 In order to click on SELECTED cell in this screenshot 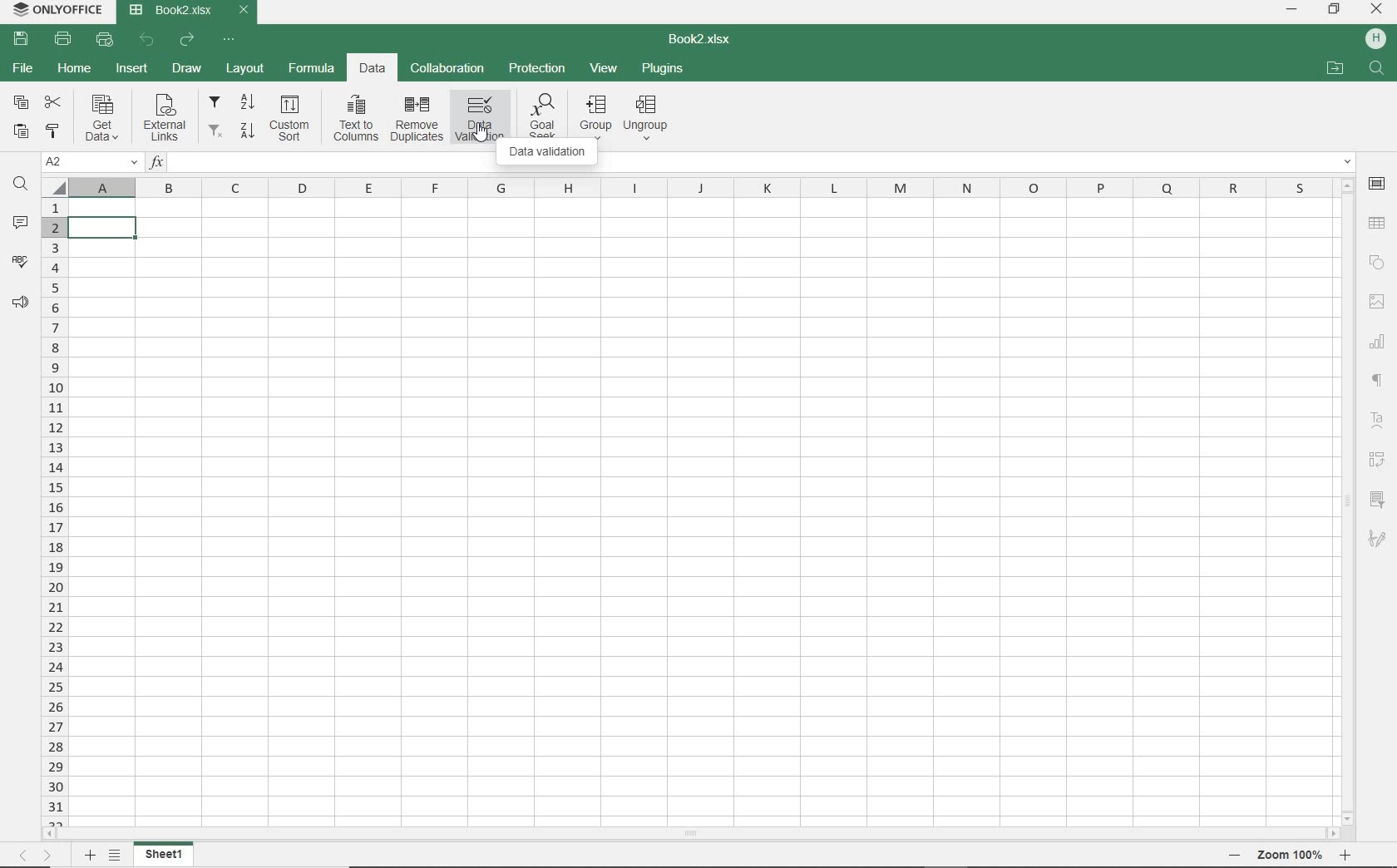, I will do `click(104, 227)`.